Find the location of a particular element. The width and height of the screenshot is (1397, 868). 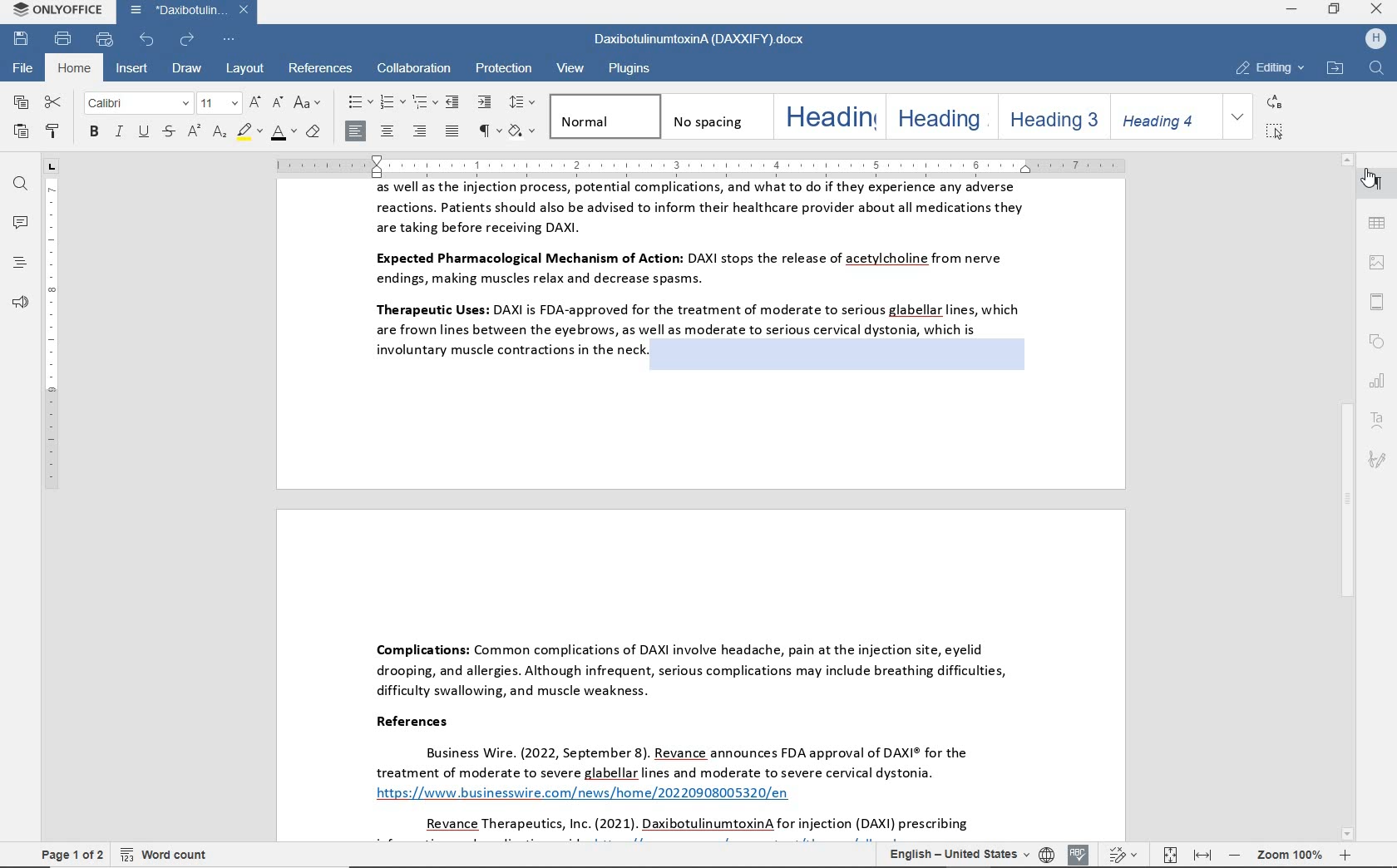

copy style is located at coordinates (55, 133).